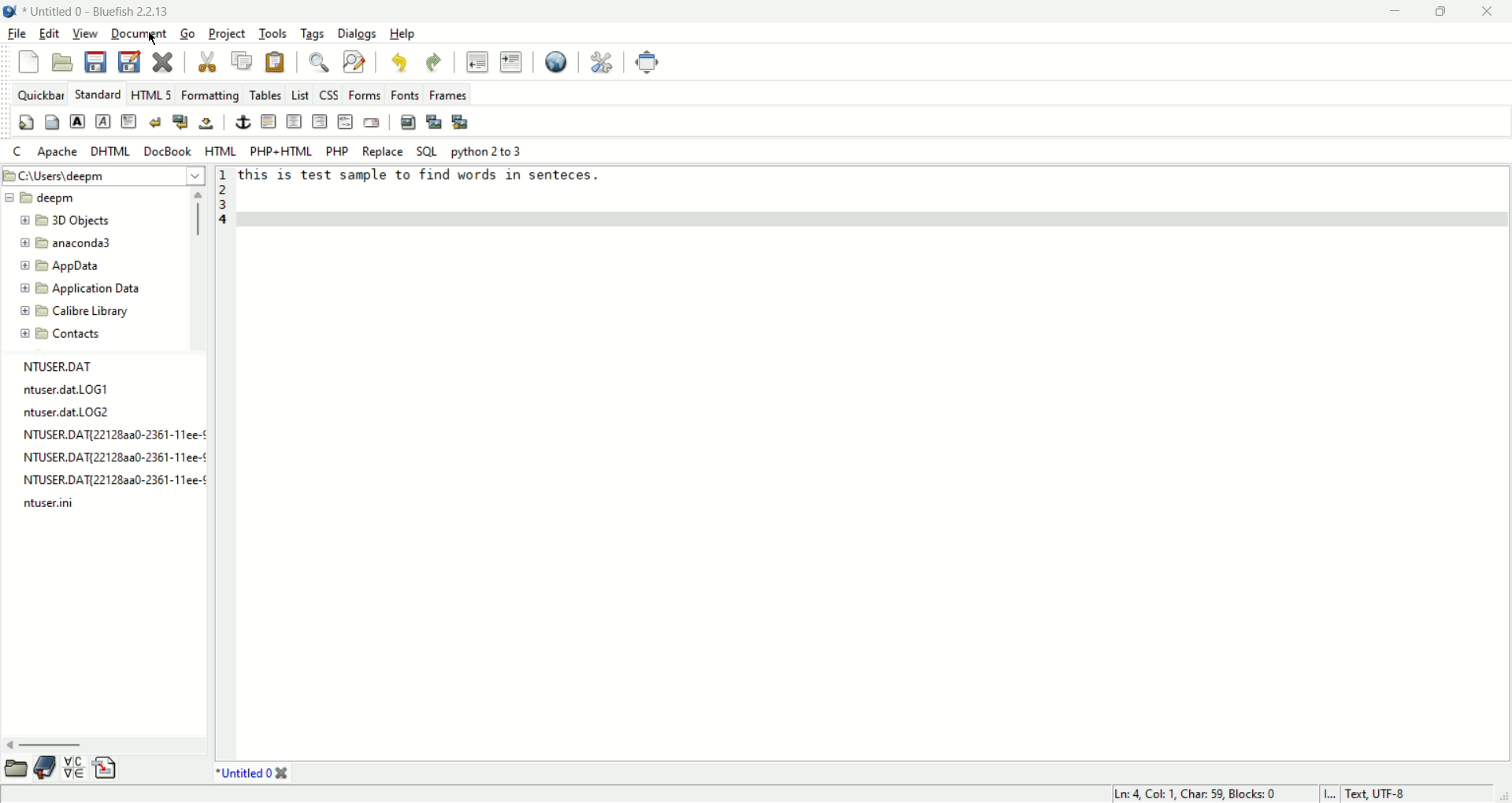 The image size is (1512, 803). Describe the element at coordinates (335, 150) in the screenshot. I see `PHP` at that location.